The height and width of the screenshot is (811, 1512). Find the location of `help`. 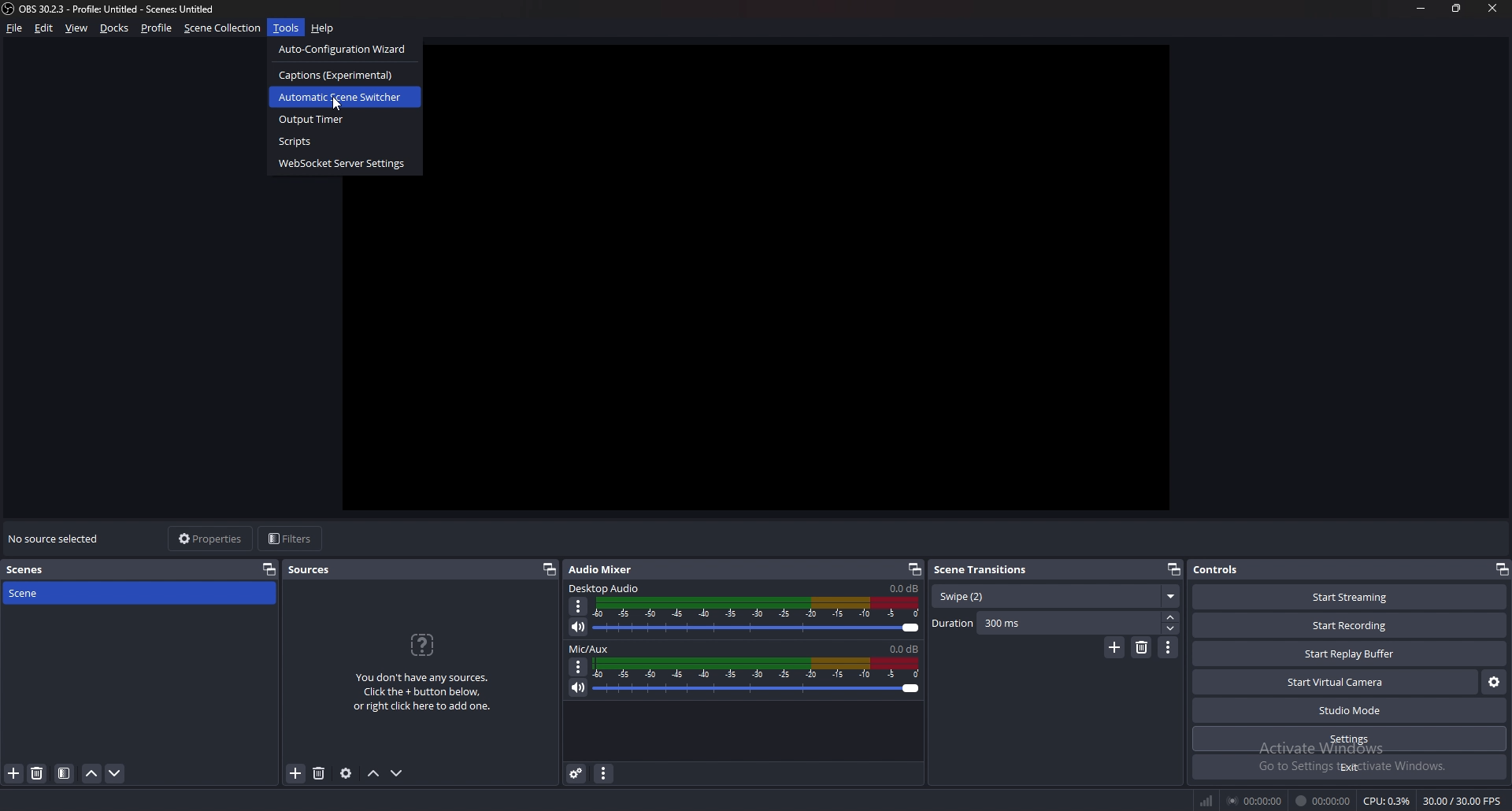

help is located at coordinates (323, 29).